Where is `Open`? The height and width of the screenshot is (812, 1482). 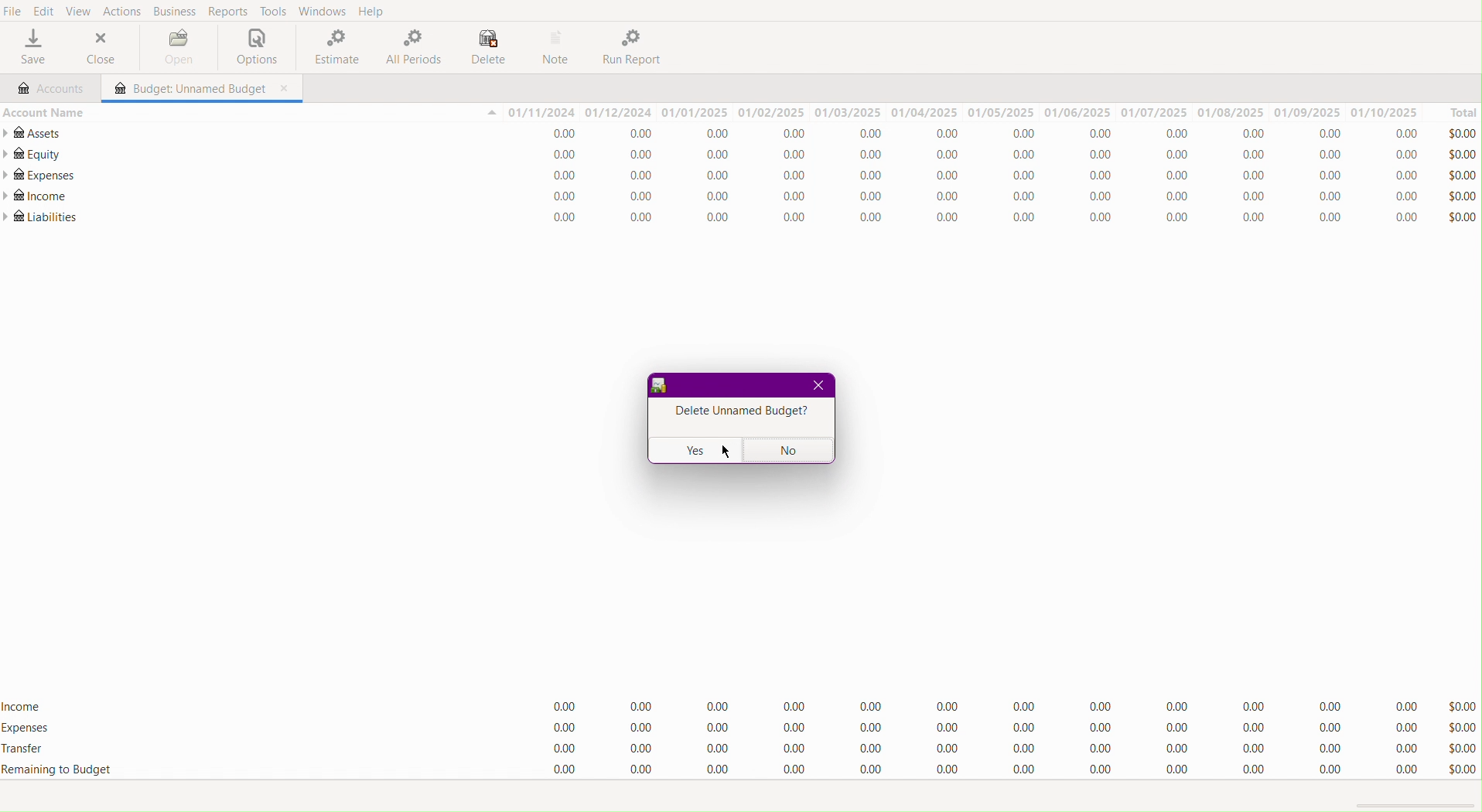 Open is located at coordinates (175, 46).